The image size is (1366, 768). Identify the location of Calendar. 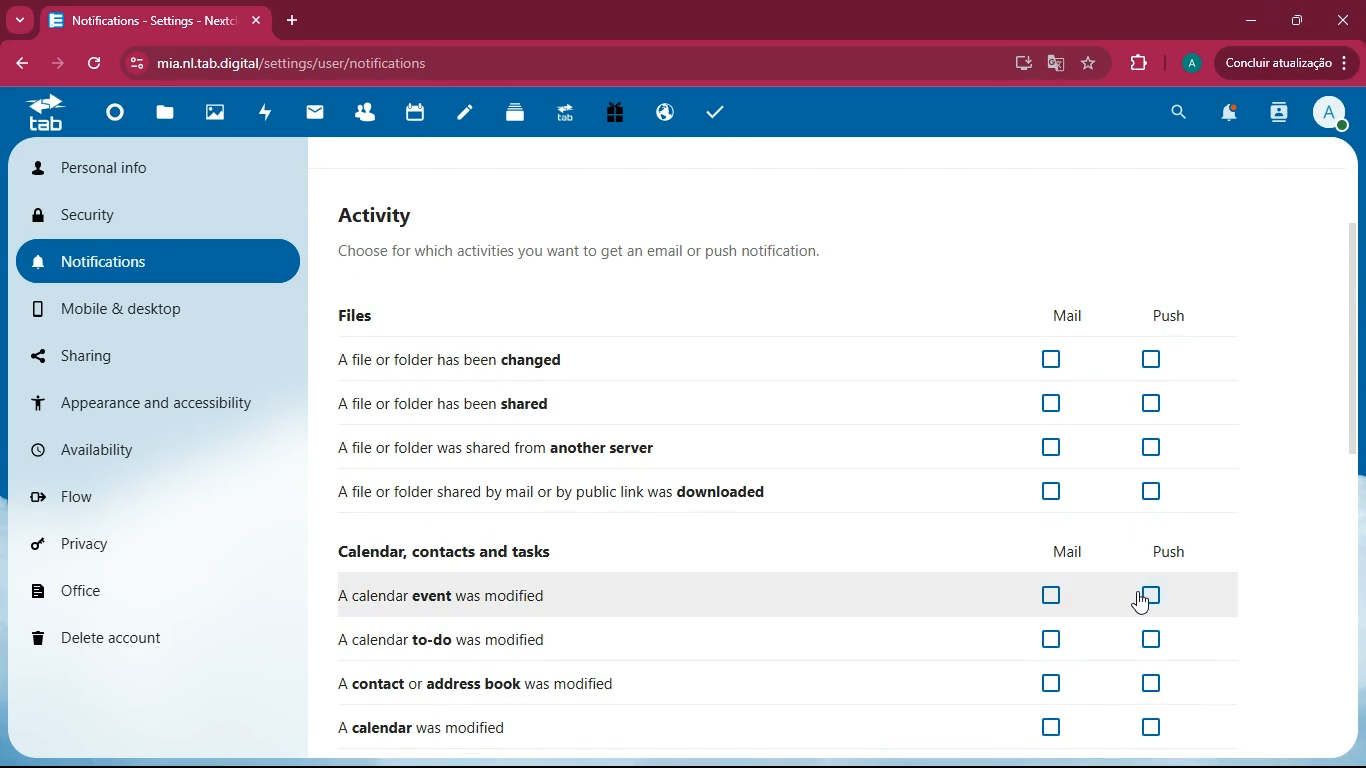
(418, 112).